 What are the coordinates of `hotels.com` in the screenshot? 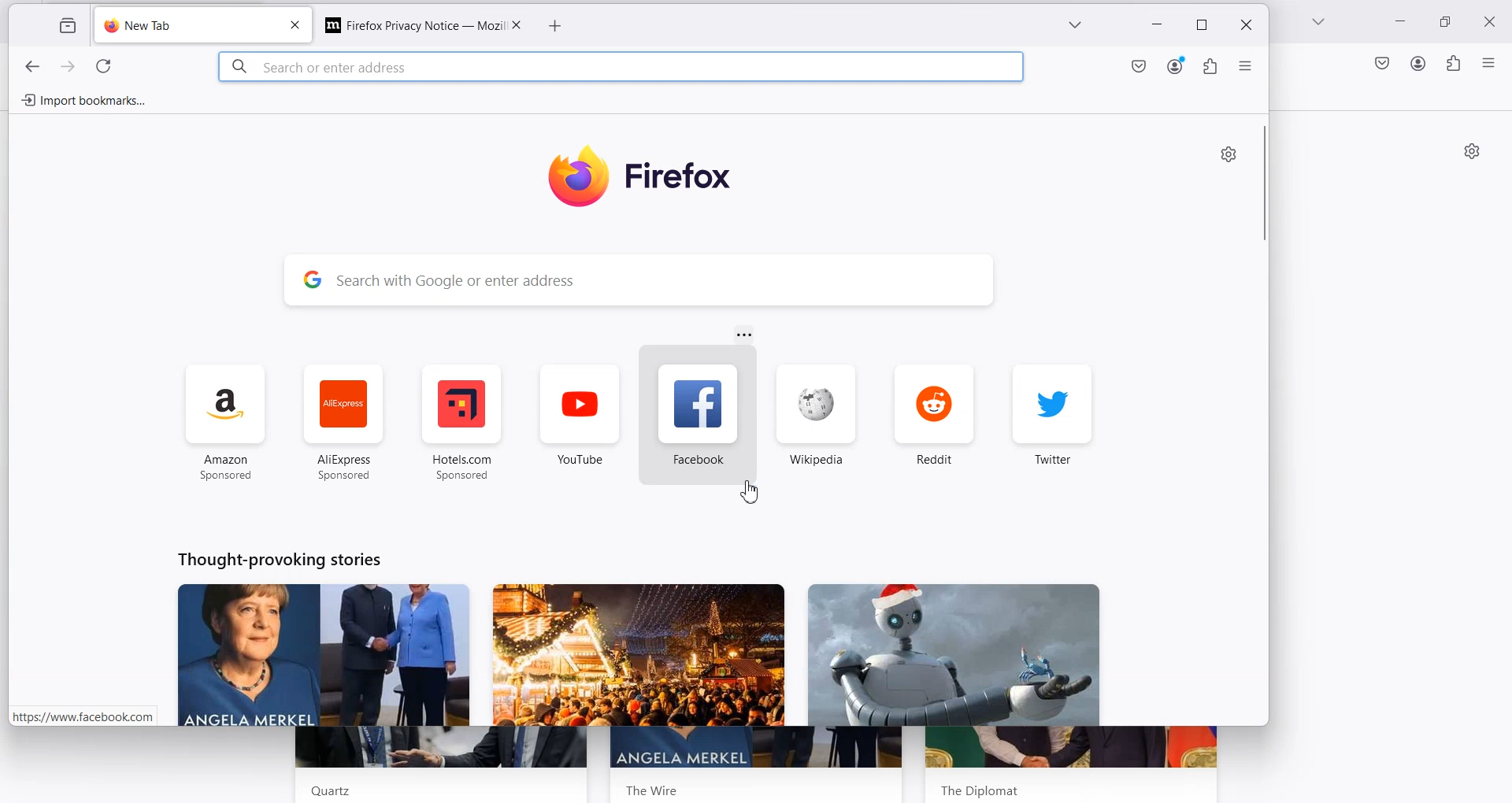 It's located at (467, 421).